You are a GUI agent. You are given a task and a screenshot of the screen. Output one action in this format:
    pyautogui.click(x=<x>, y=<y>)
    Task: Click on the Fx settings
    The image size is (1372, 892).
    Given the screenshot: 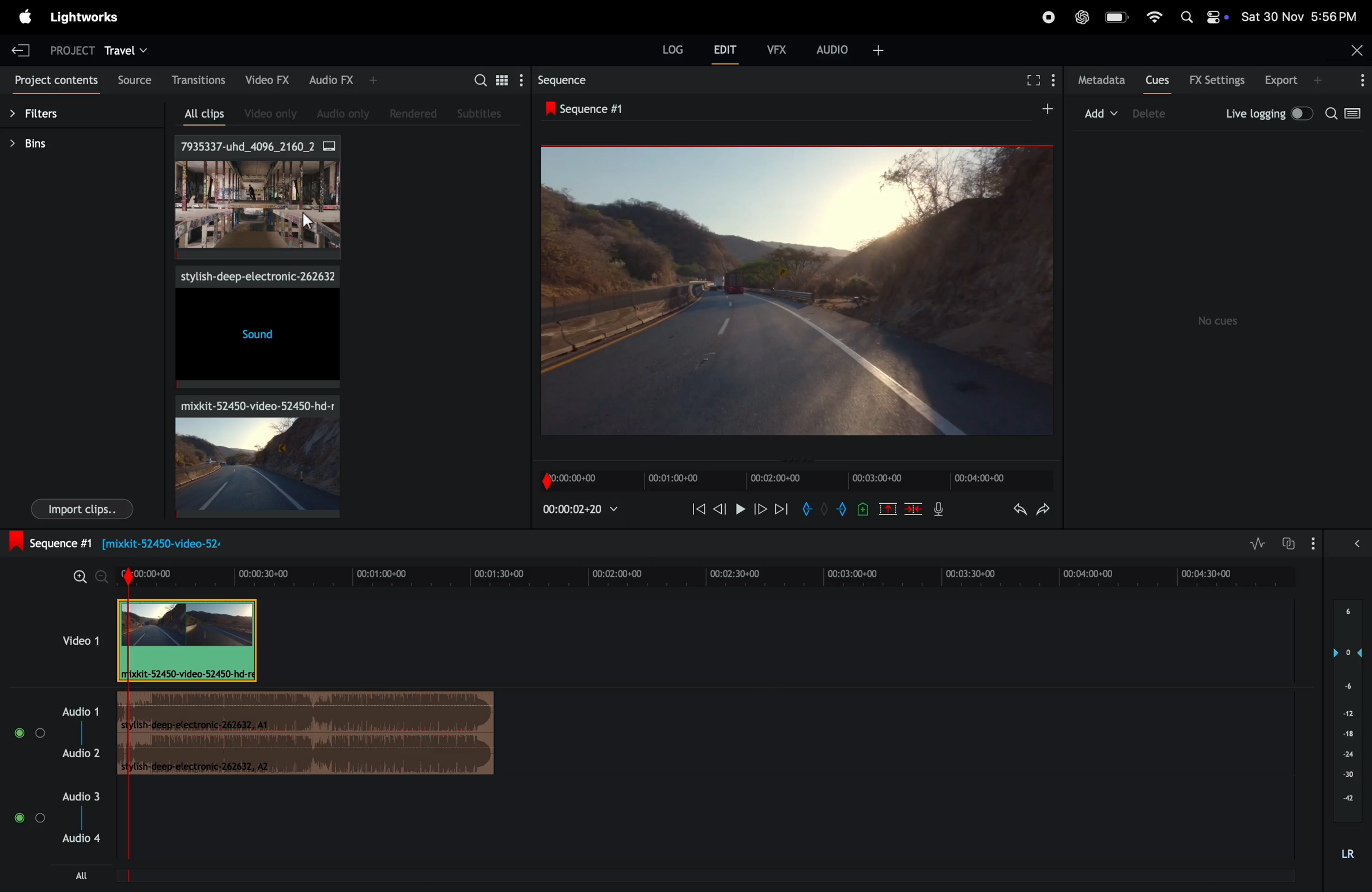 What is the action you would take?
    pyautogui.click(x=1217, y=81)
    